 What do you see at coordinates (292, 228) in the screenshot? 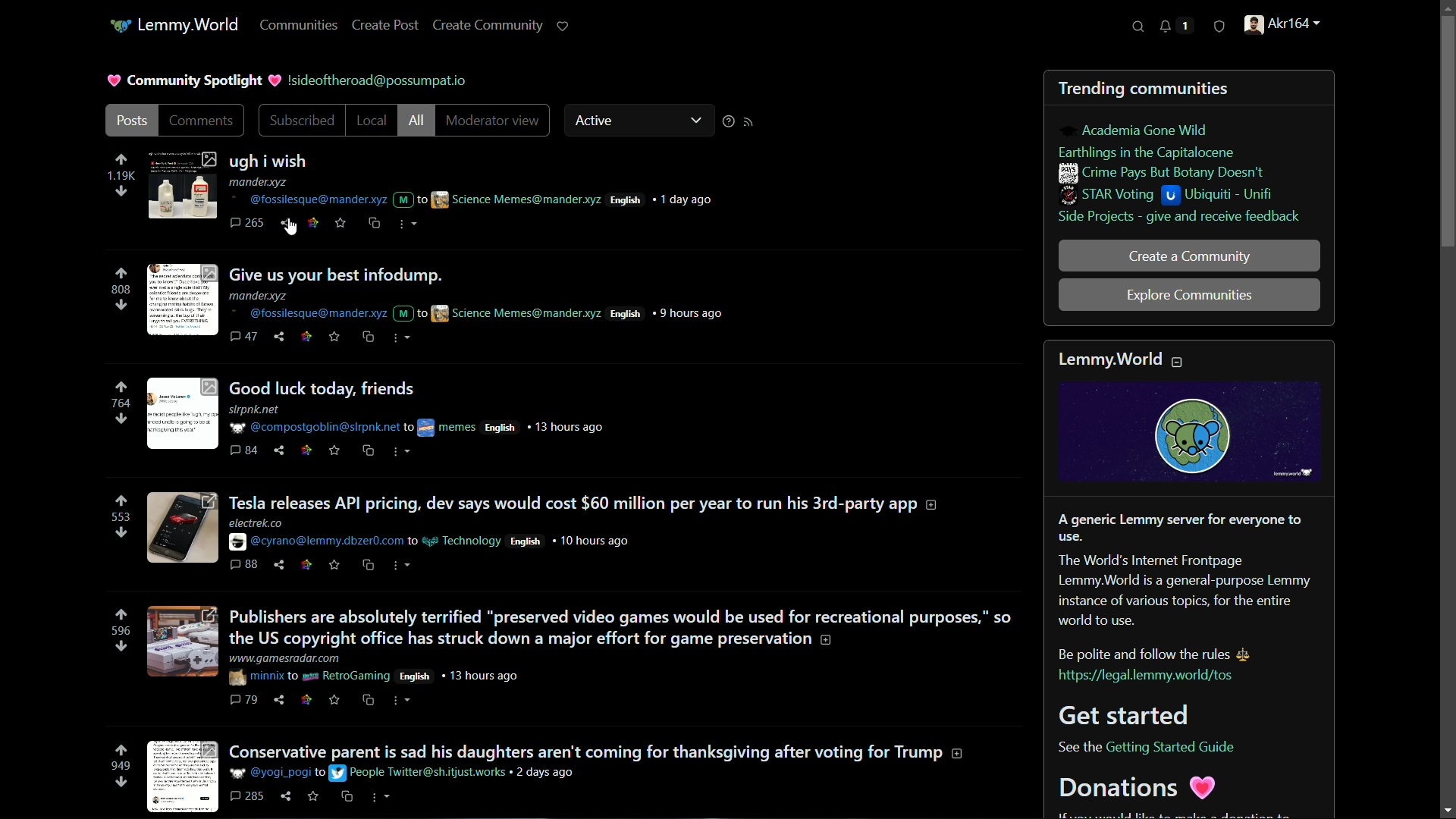
I see `cursor` at bounding box center [292, 228].